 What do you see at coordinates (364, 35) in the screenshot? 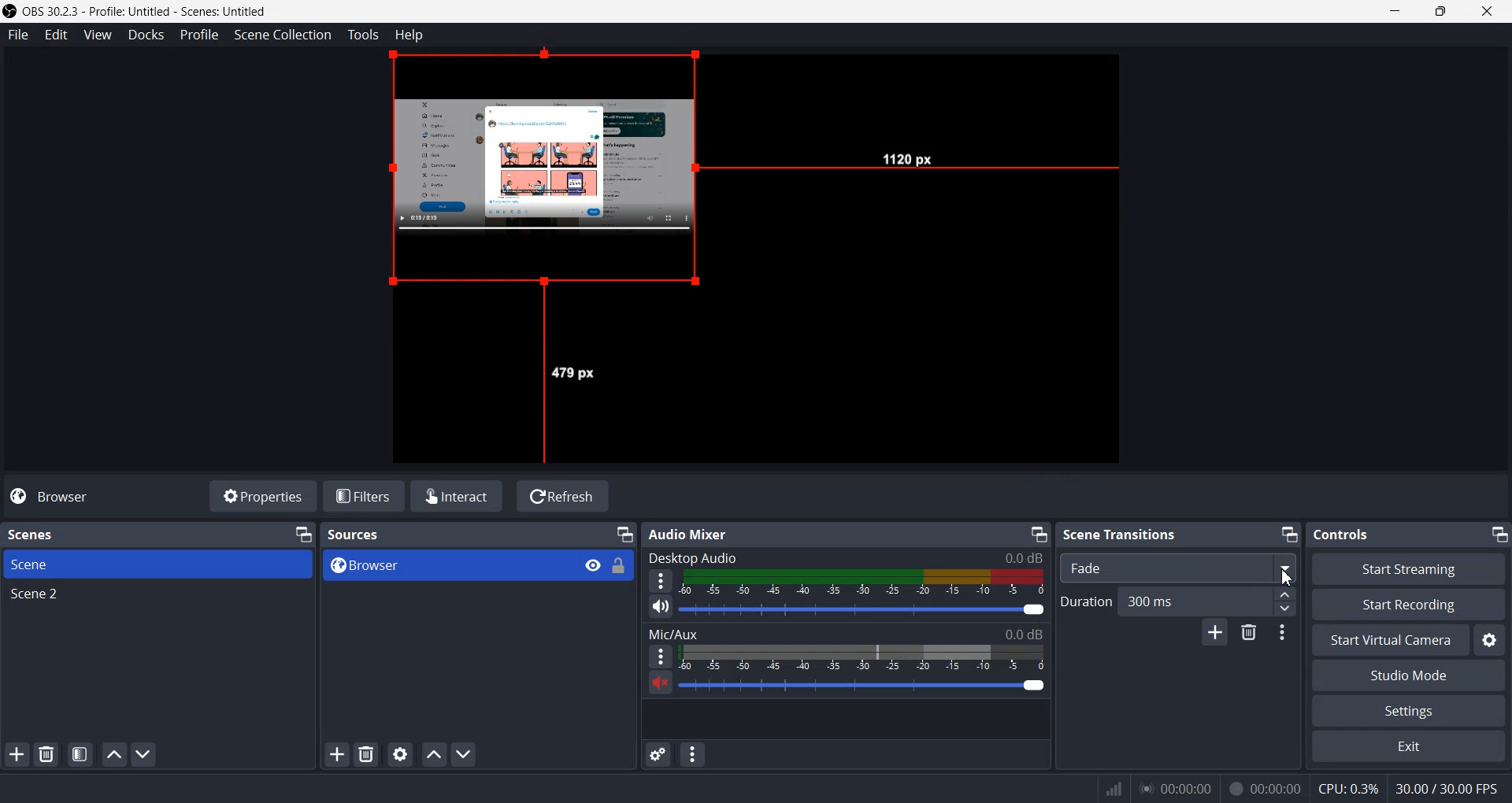
I see `Tools` at bounding box center [364, 35].